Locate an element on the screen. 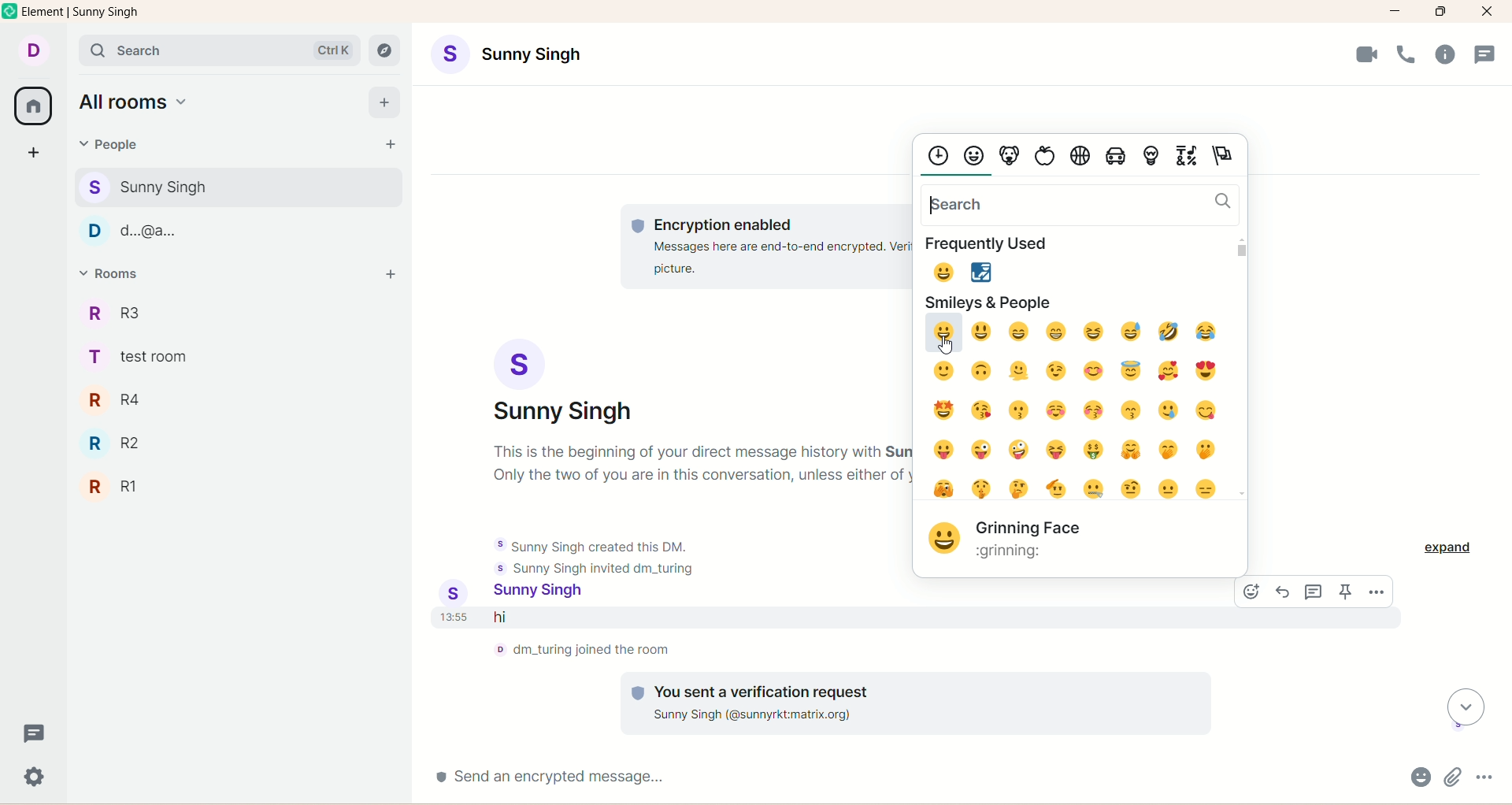 The image size is (1512, 805). Travel and places is located at coordinates (1116, 158).